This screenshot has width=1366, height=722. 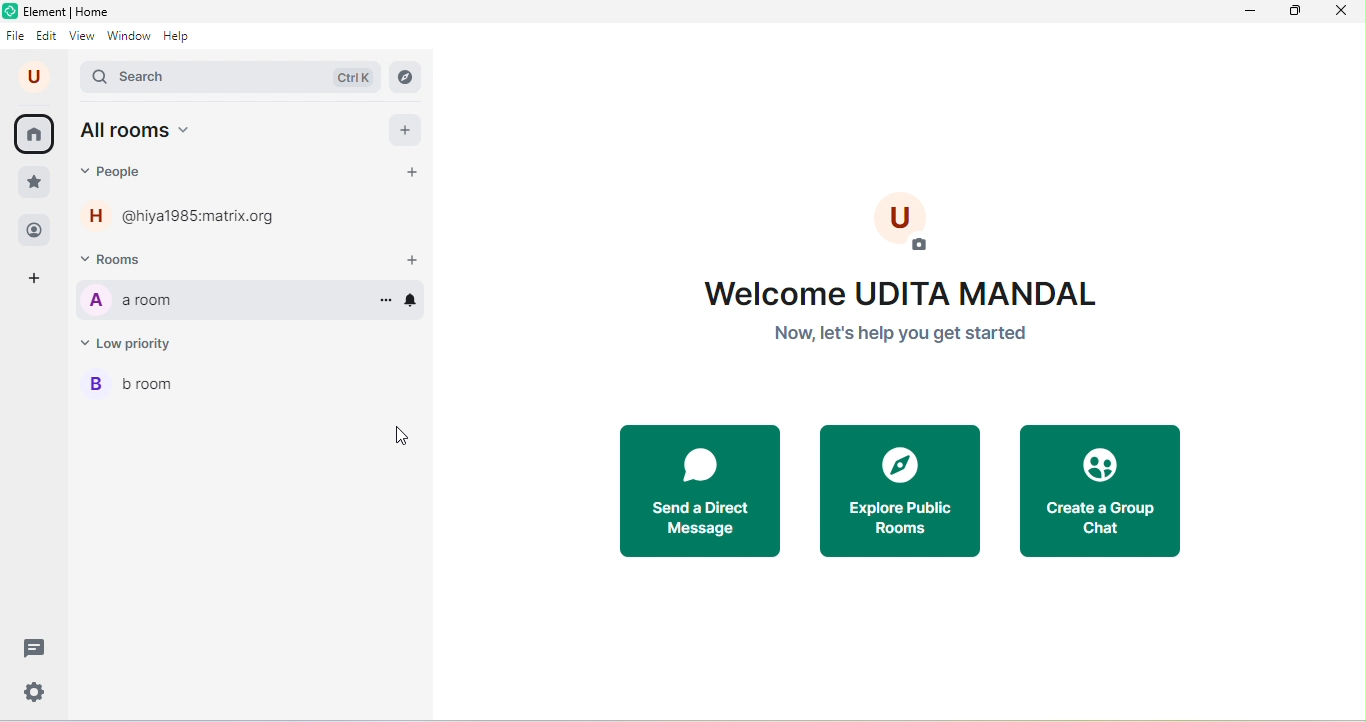 What do you see at coordinates (139, 258) in the screenshot?
I see `rooms` at bounding box center [139, 258].